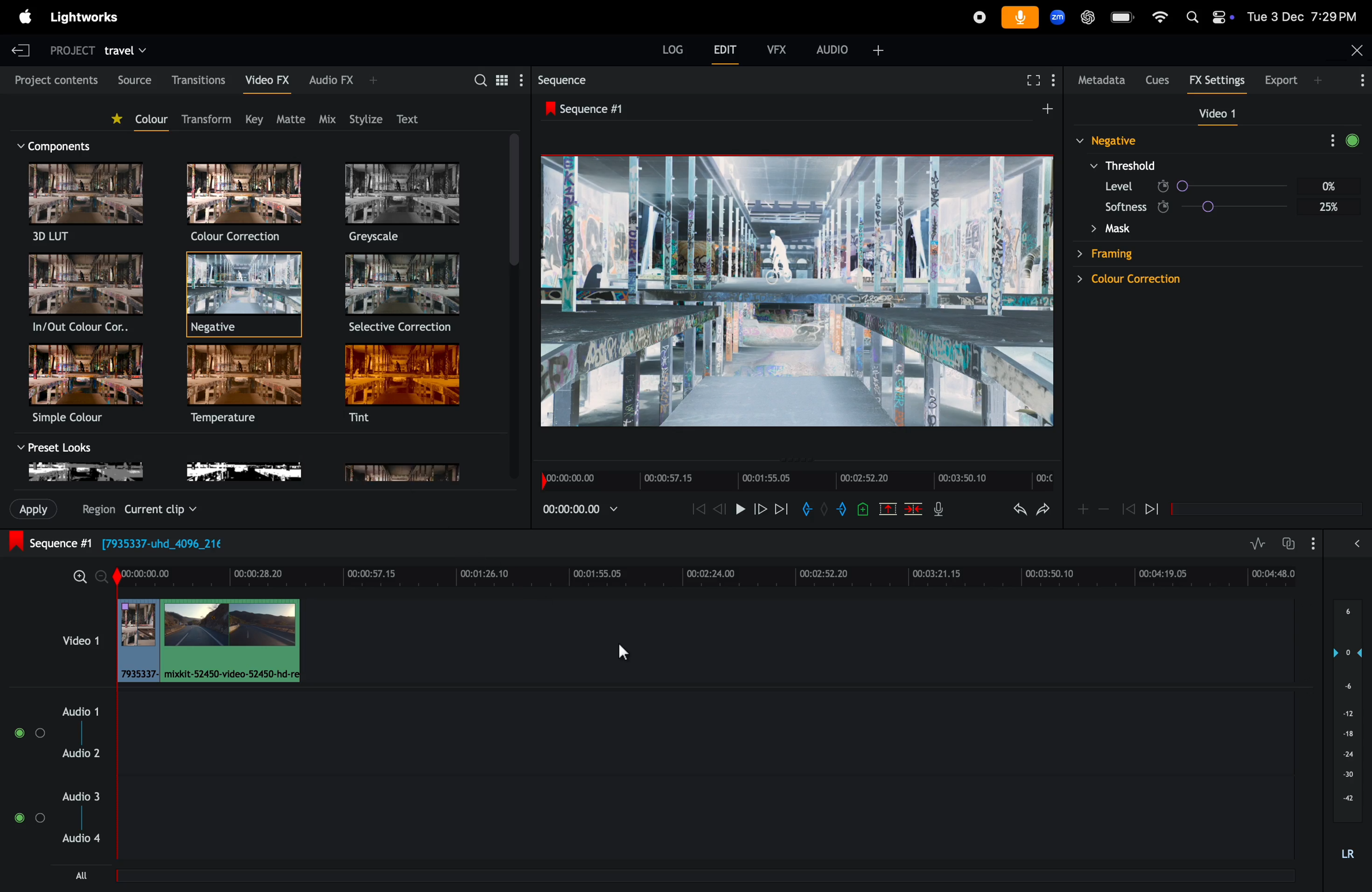 The height and width of the screenshot is (892, 1372). Describe the element at coordinates (720, 48) in the screenshot. I see `Edit` at that location.